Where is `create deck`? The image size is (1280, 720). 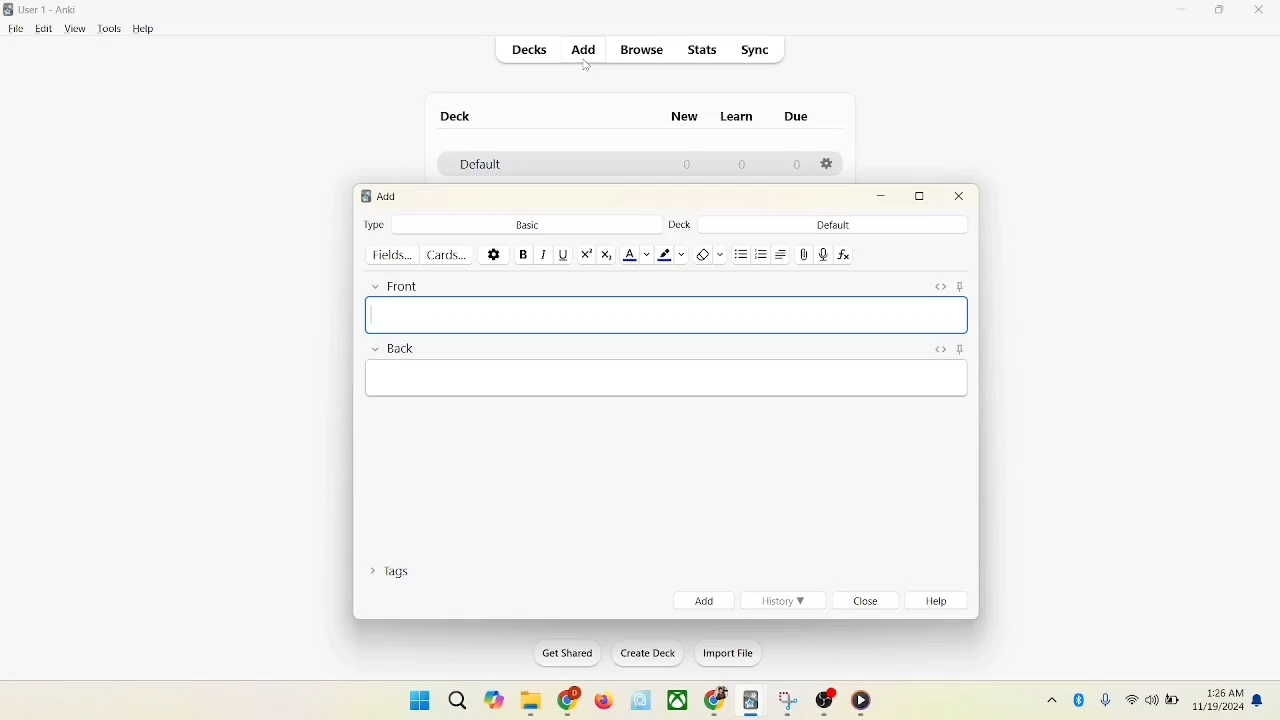
create deck is located at coordinates (644, 654).